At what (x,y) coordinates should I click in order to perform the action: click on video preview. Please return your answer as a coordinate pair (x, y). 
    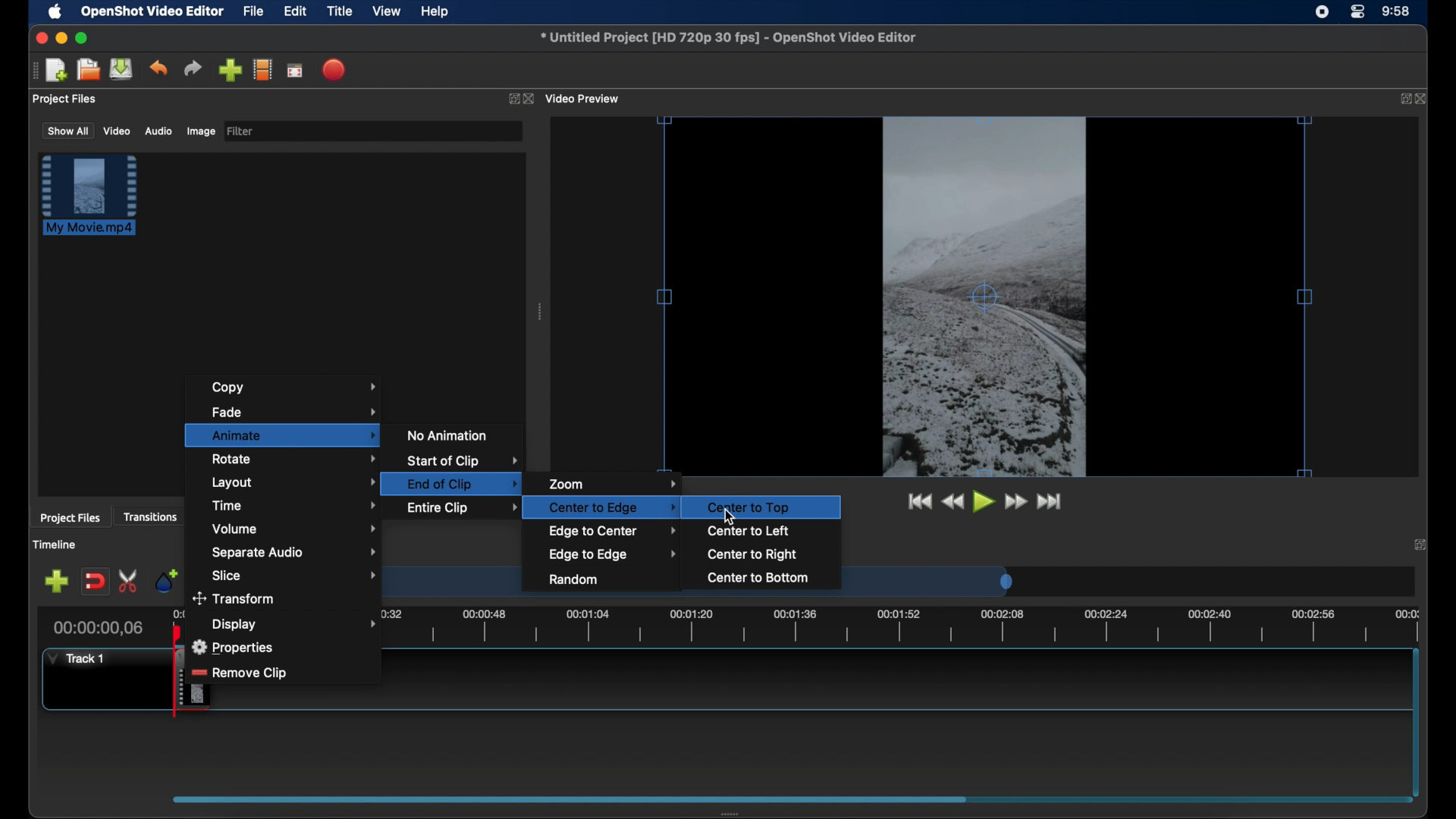
    Looking at the image, I should click on (584, 99).